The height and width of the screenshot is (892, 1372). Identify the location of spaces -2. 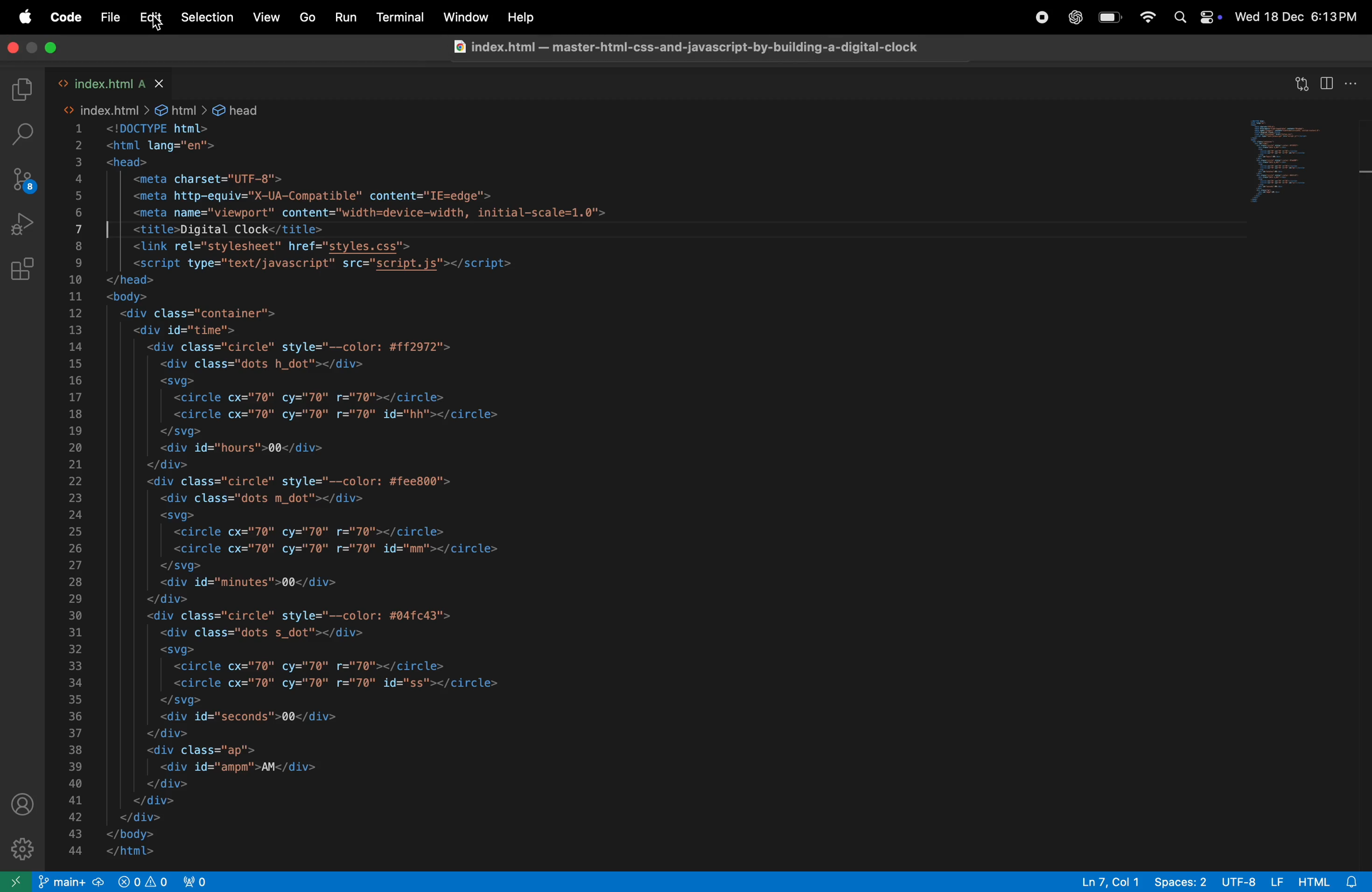
(1179, 880).